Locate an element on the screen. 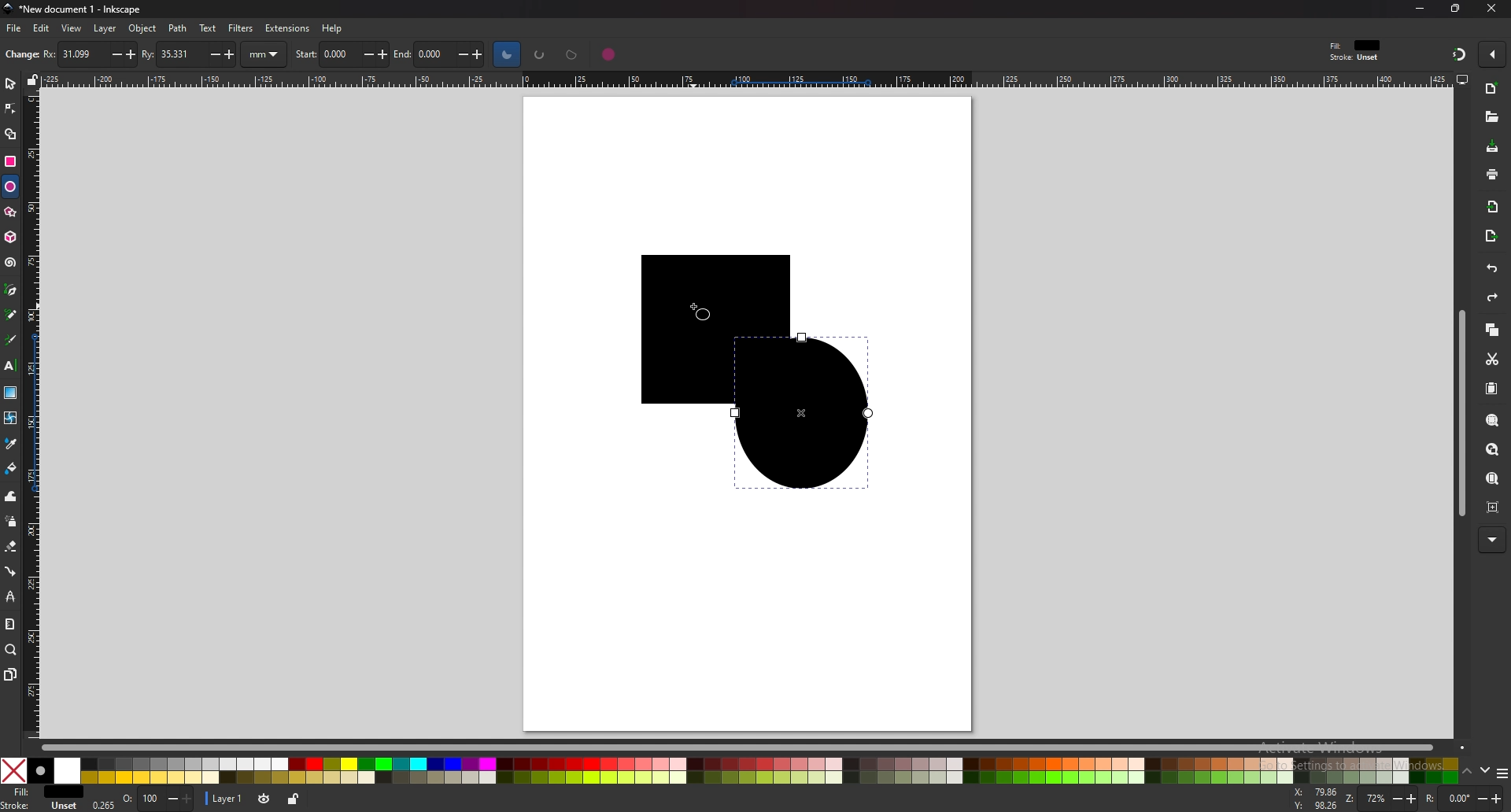  vertical radius is located at coordinates (190, 53).